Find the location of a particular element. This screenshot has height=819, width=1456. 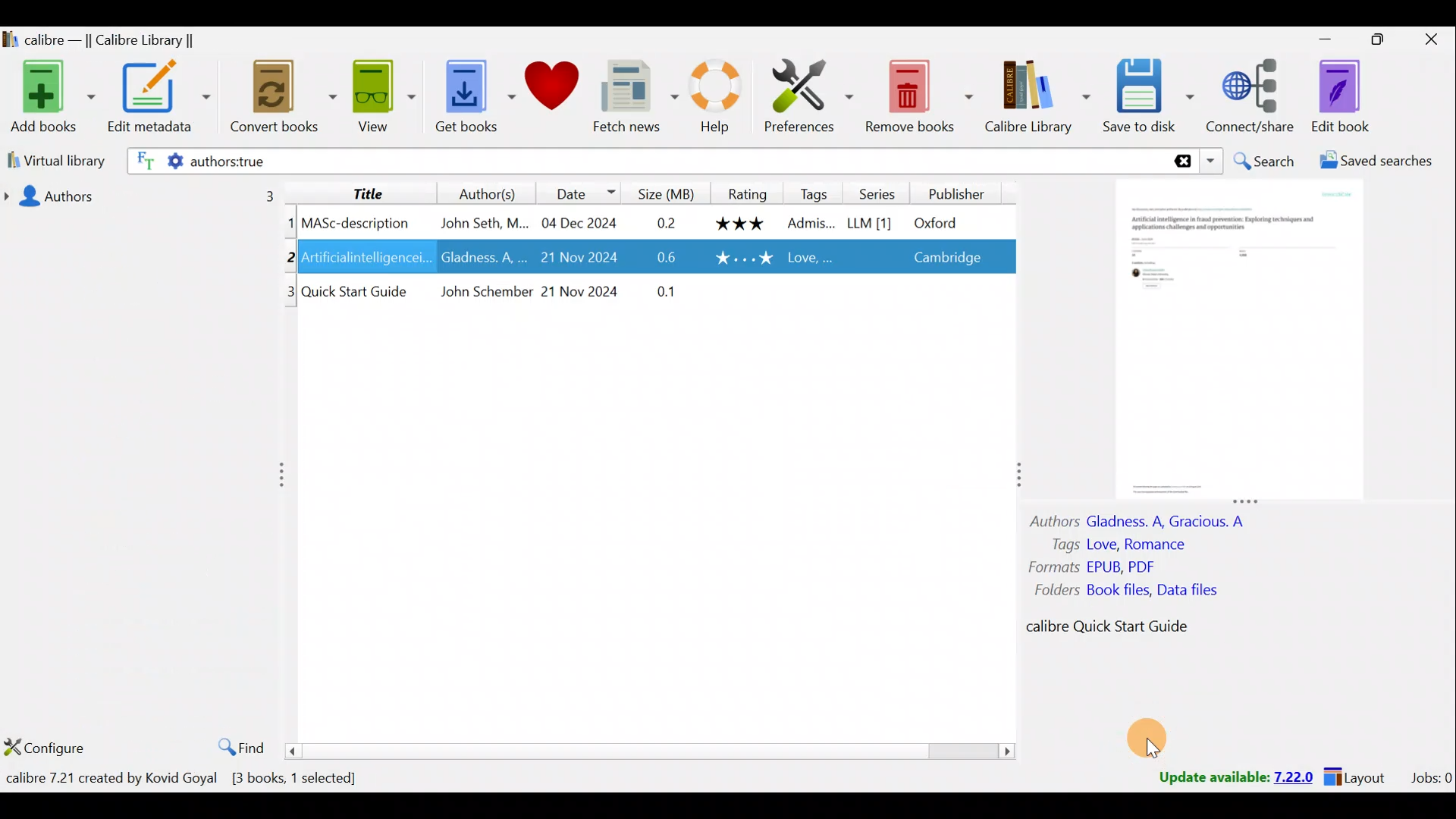

Update is located at coordinates (1234, 778).